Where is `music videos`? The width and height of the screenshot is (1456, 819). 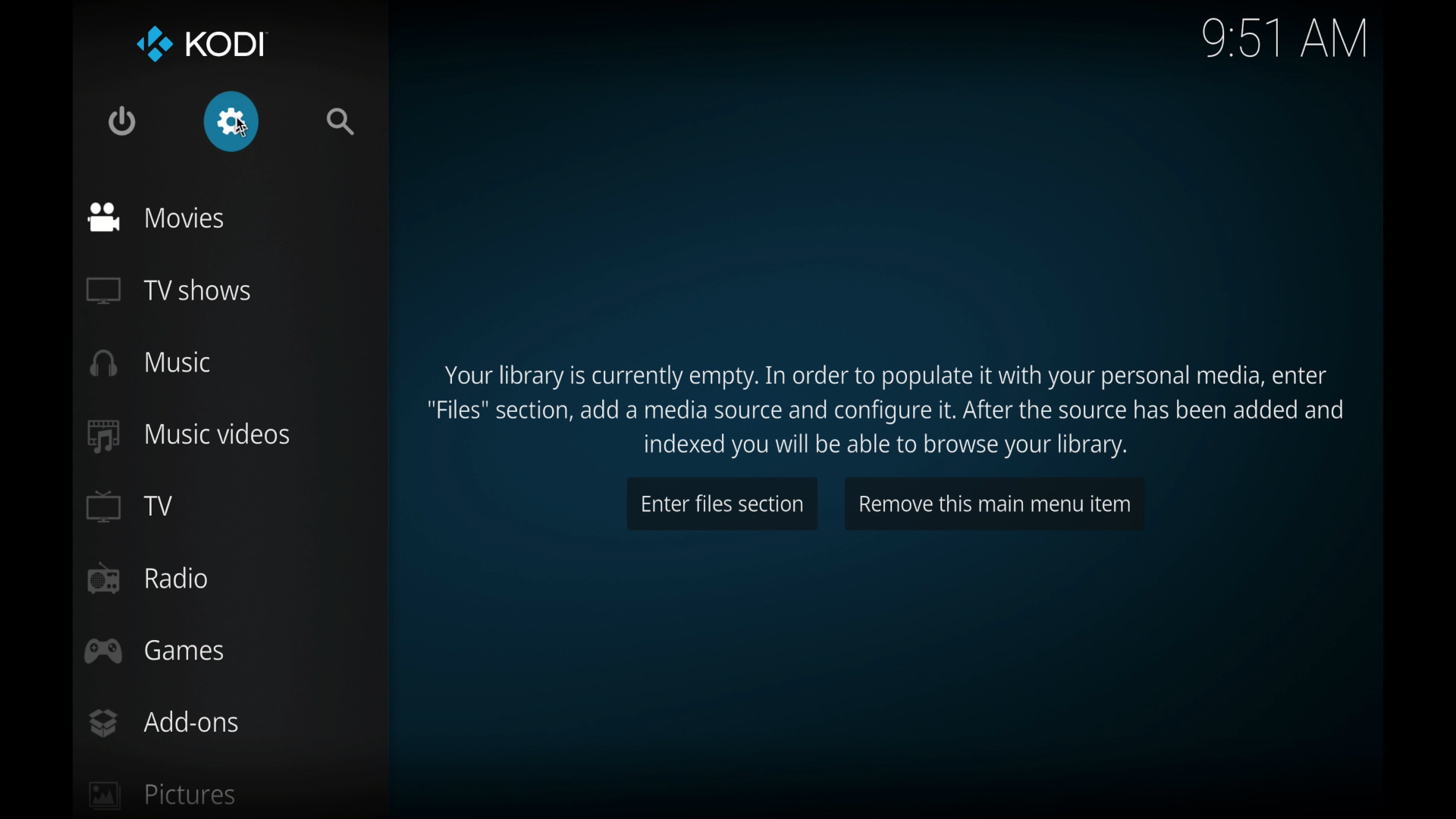
music videos is located at coordinates (191, 436).